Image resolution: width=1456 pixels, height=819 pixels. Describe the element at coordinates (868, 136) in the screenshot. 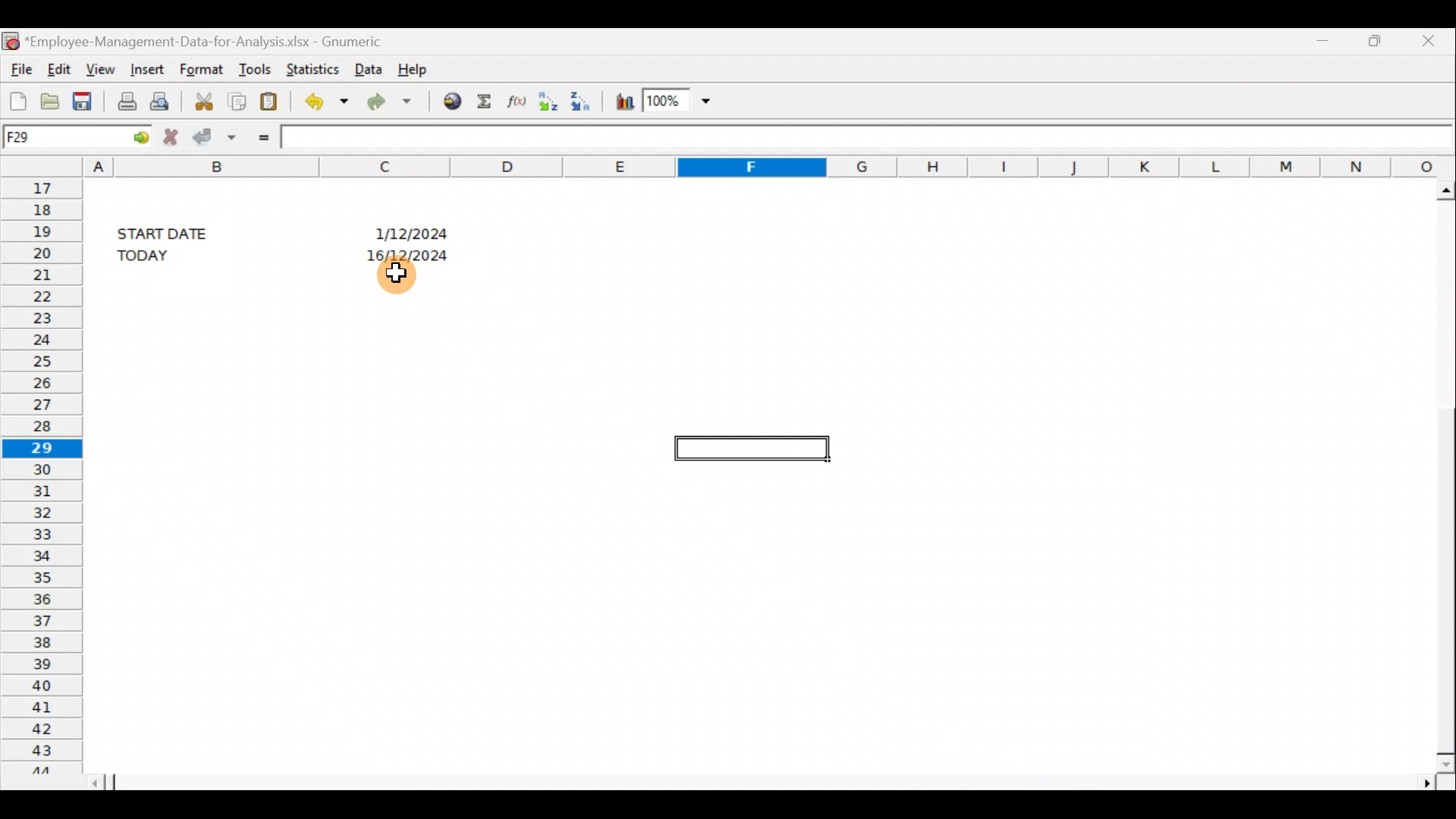

I see `Formula bar` at that location.